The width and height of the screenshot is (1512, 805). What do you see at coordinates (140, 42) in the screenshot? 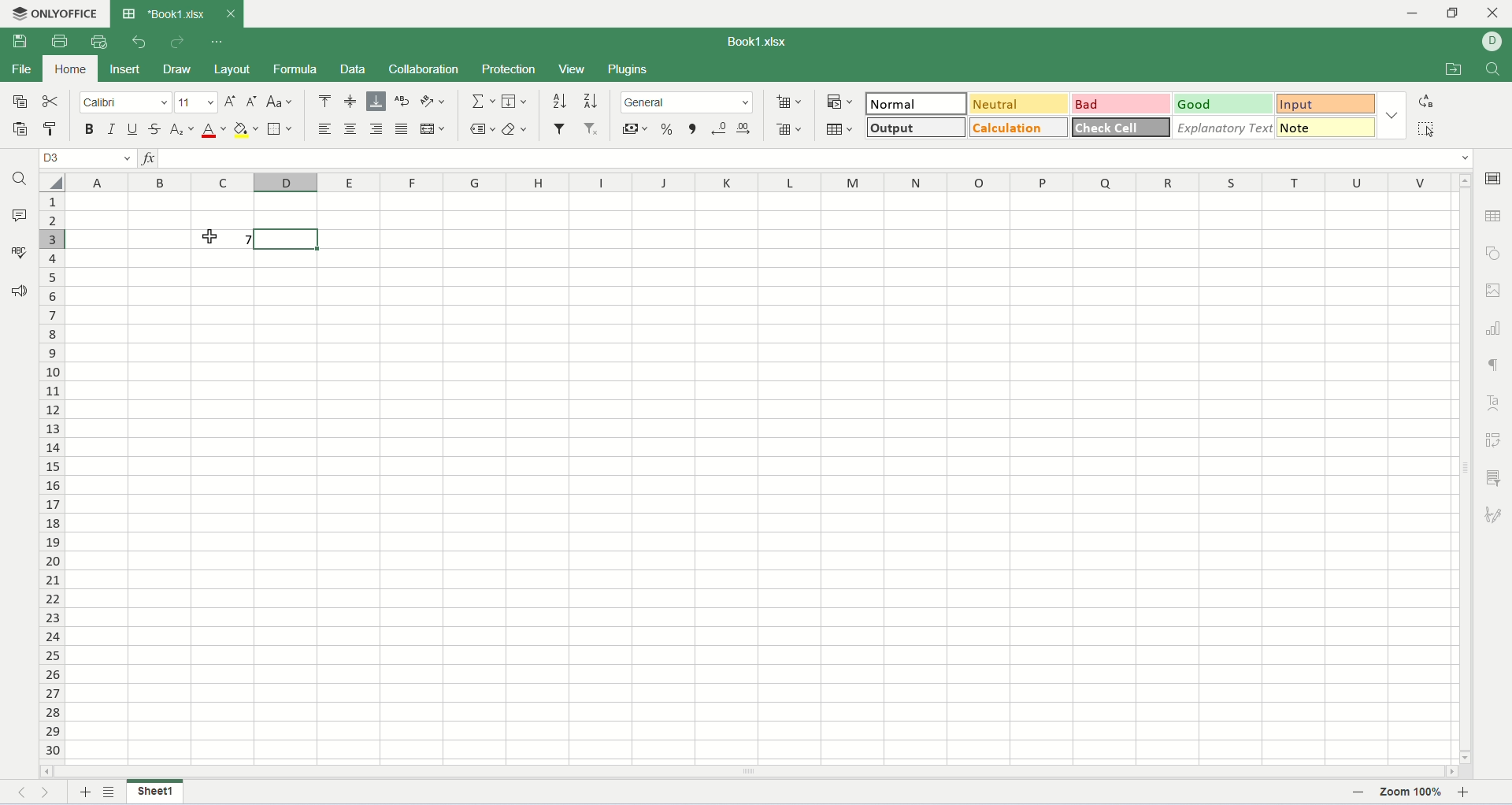
I see `undo` at bounding box center [140, 42].